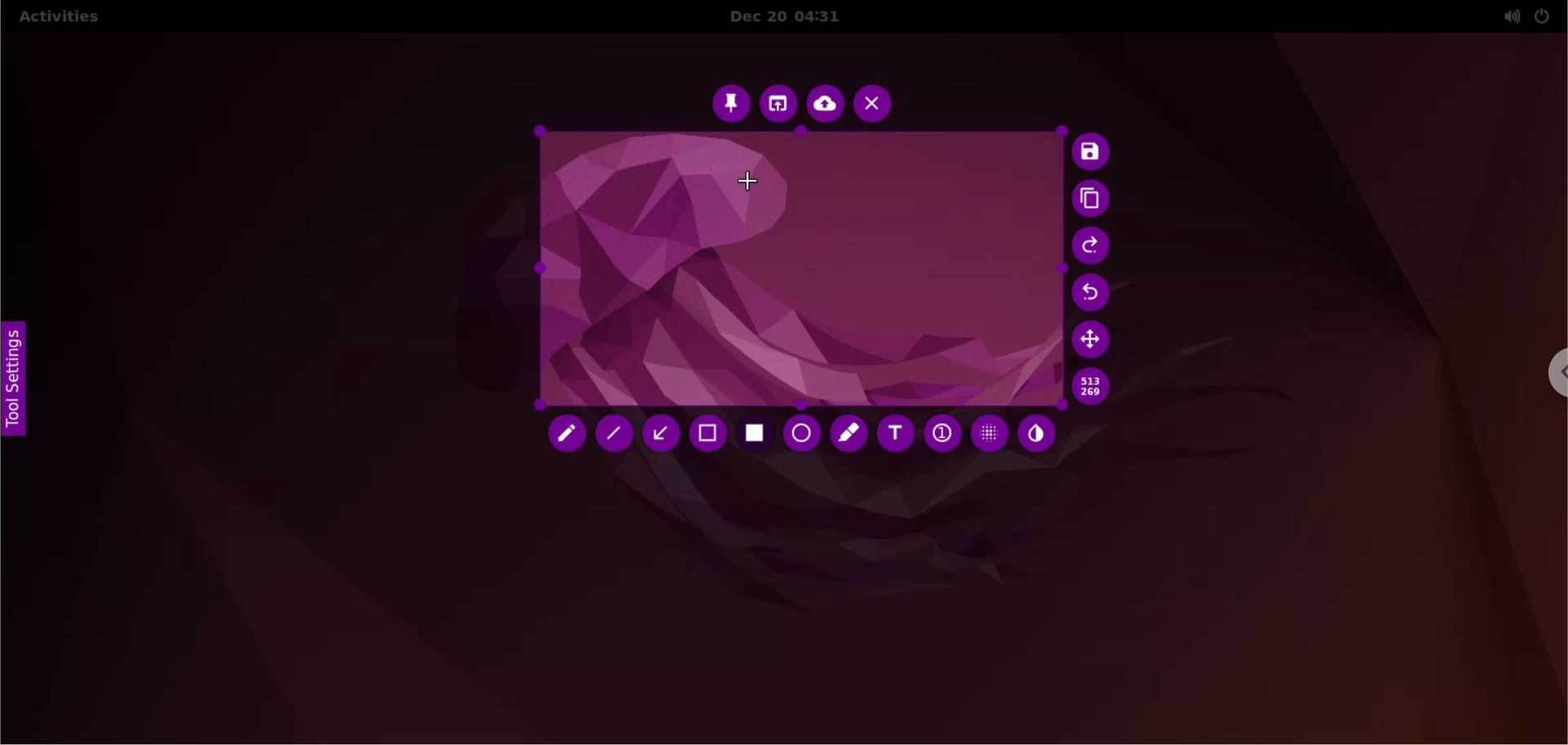 Image resolution: width=1568 pixels, height=745 pixels. I want to click on add text, so click(898, 437).